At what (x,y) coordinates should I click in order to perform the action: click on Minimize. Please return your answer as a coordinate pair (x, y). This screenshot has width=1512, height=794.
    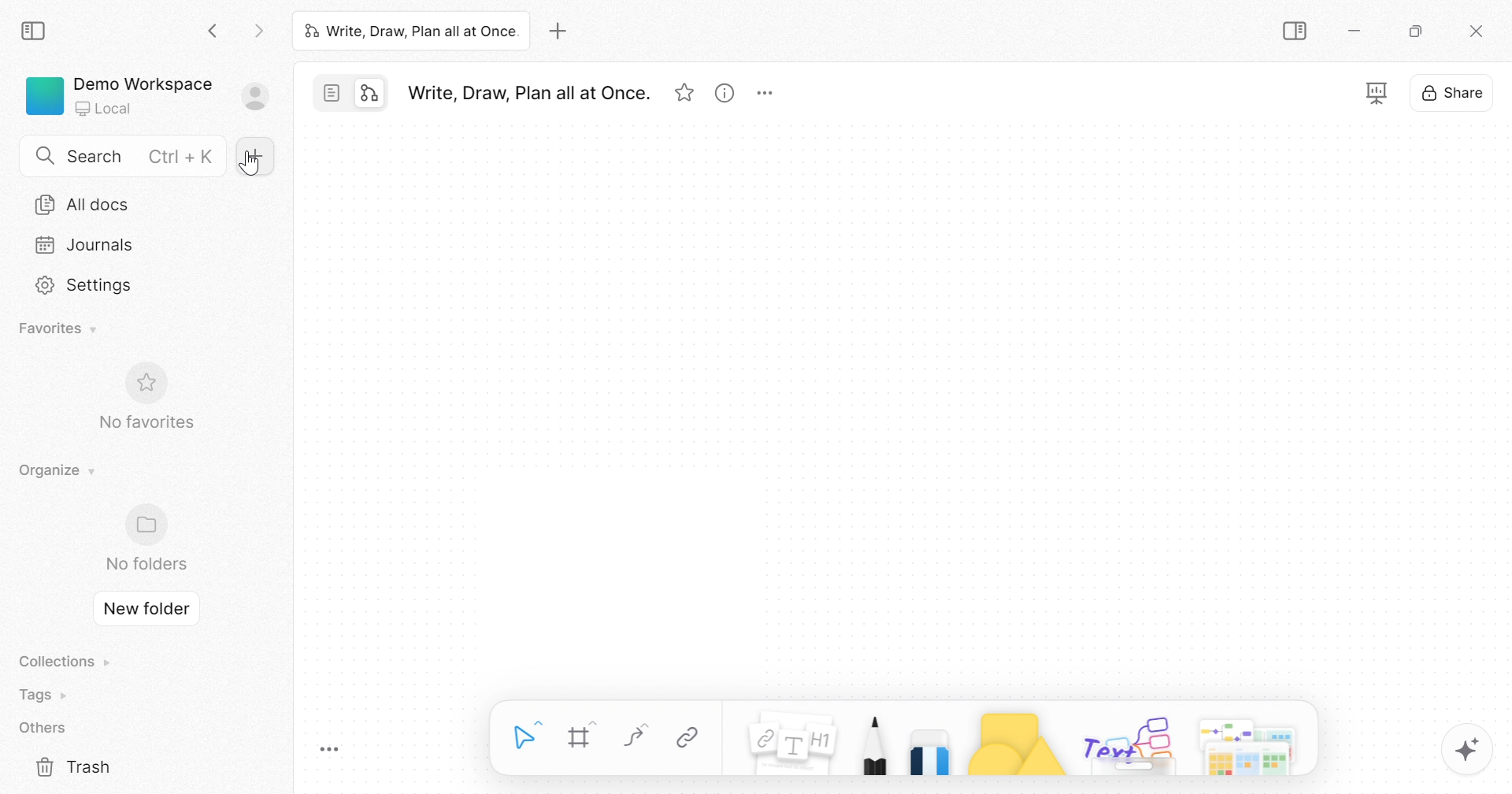
    Looking at the image, I should click on (1357, 34).